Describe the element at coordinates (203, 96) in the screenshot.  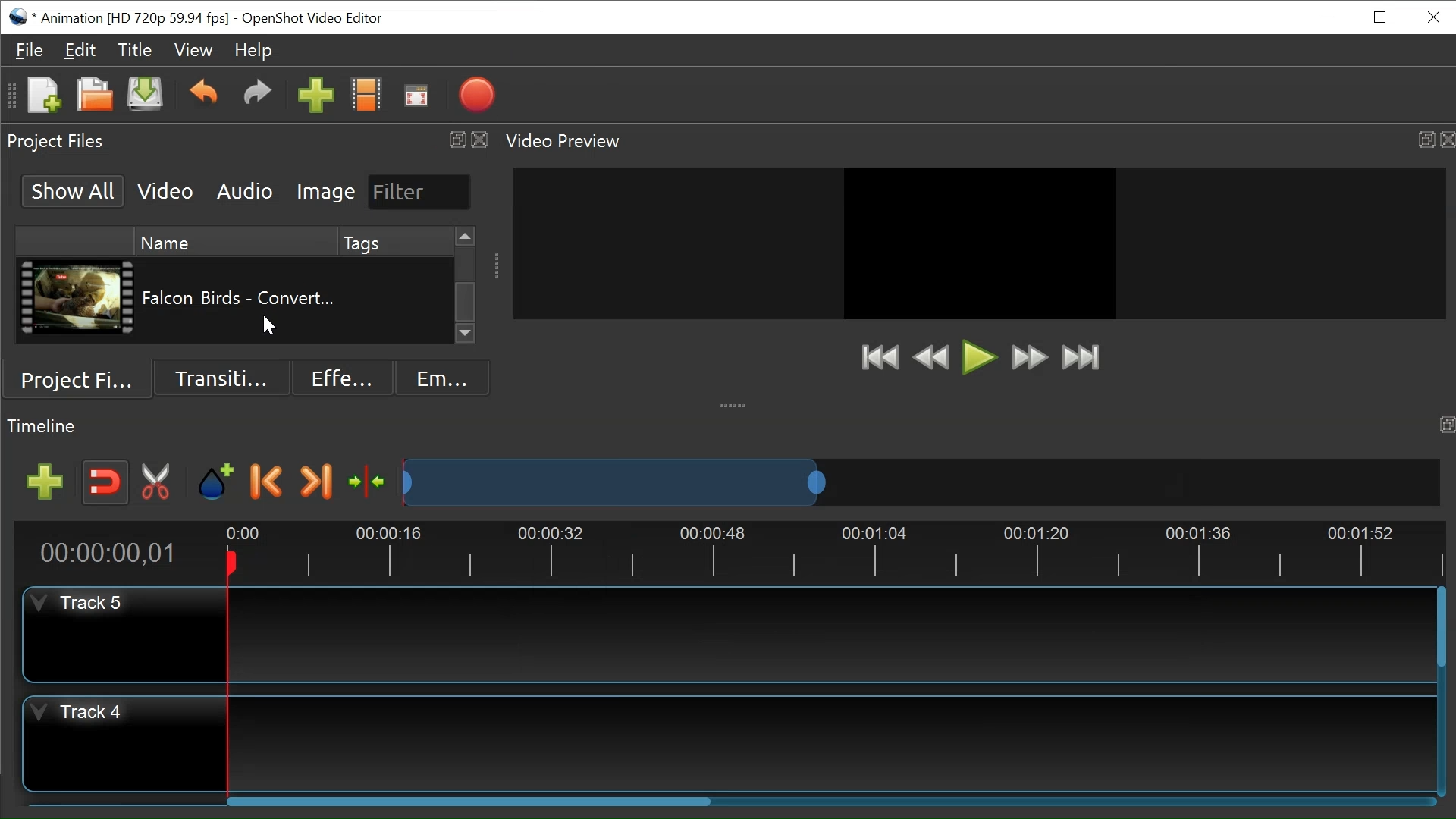
I see `Undo` at that location.